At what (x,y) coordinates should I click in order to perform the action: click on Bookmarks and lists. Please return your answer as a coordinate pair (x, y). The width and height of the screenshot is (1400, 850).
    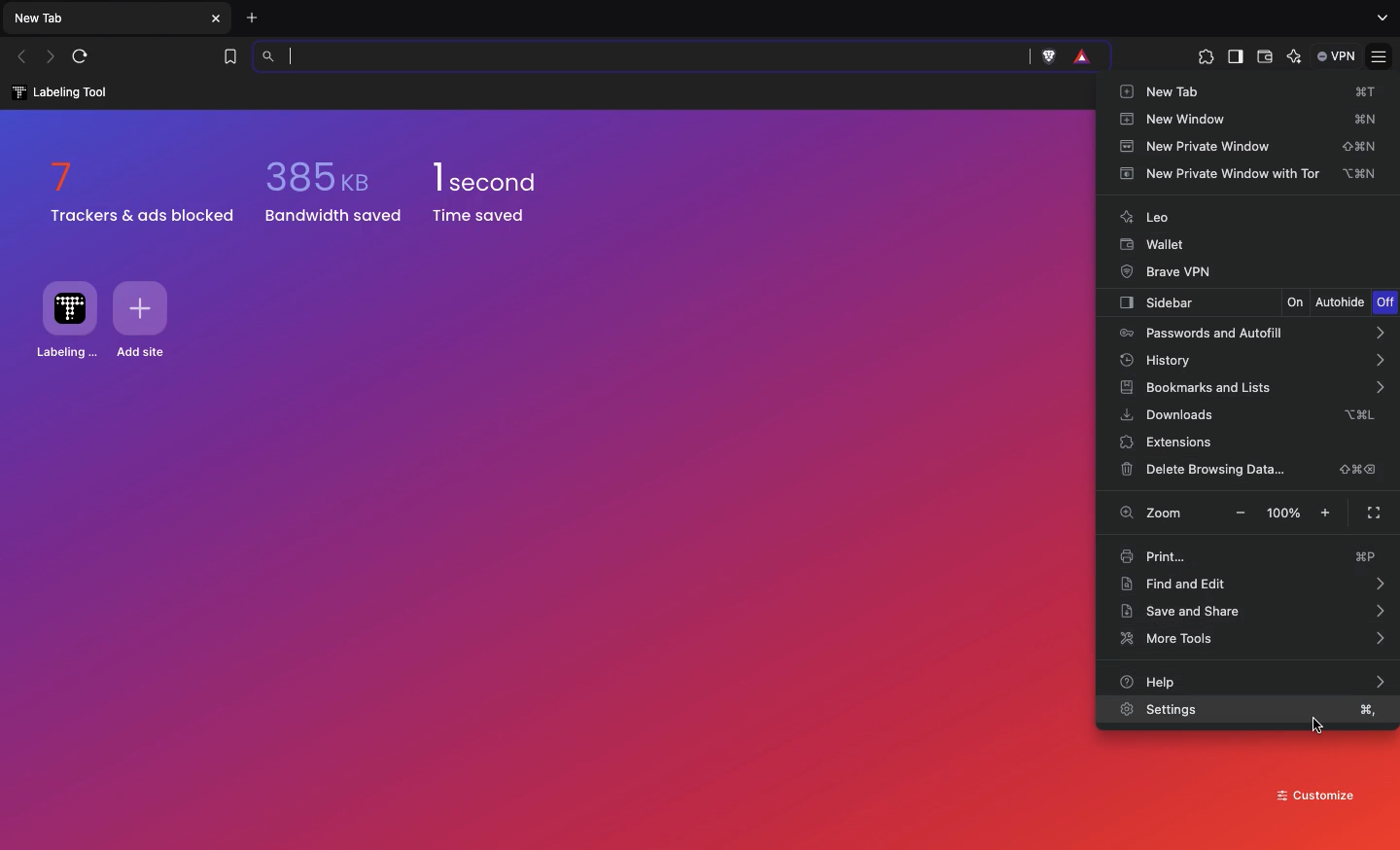
    Looking at the image, I should click on (1250, 389).